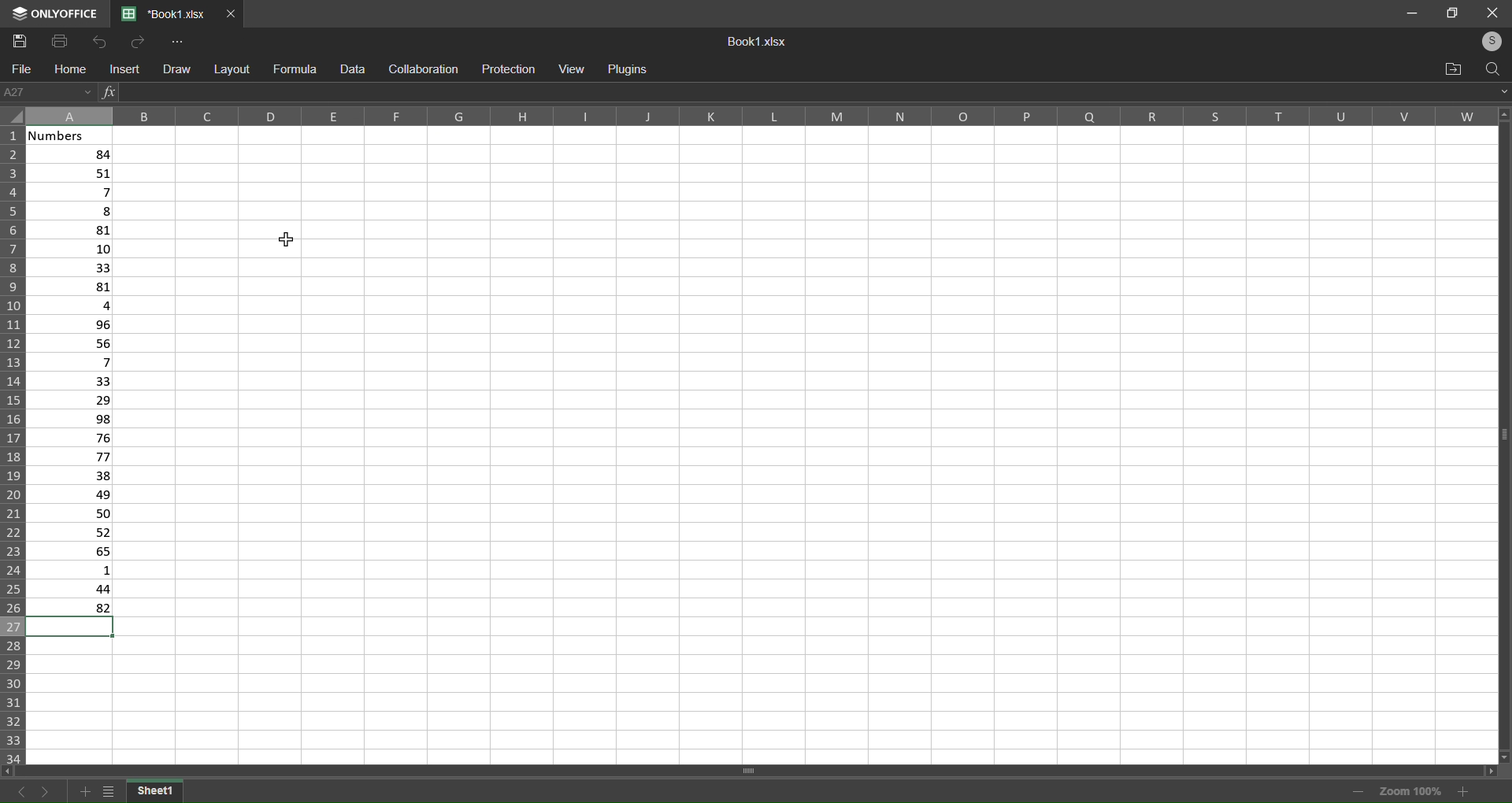 The width and height of the screenshot is (1512, 803). I want to click on view, so click(570, 71).